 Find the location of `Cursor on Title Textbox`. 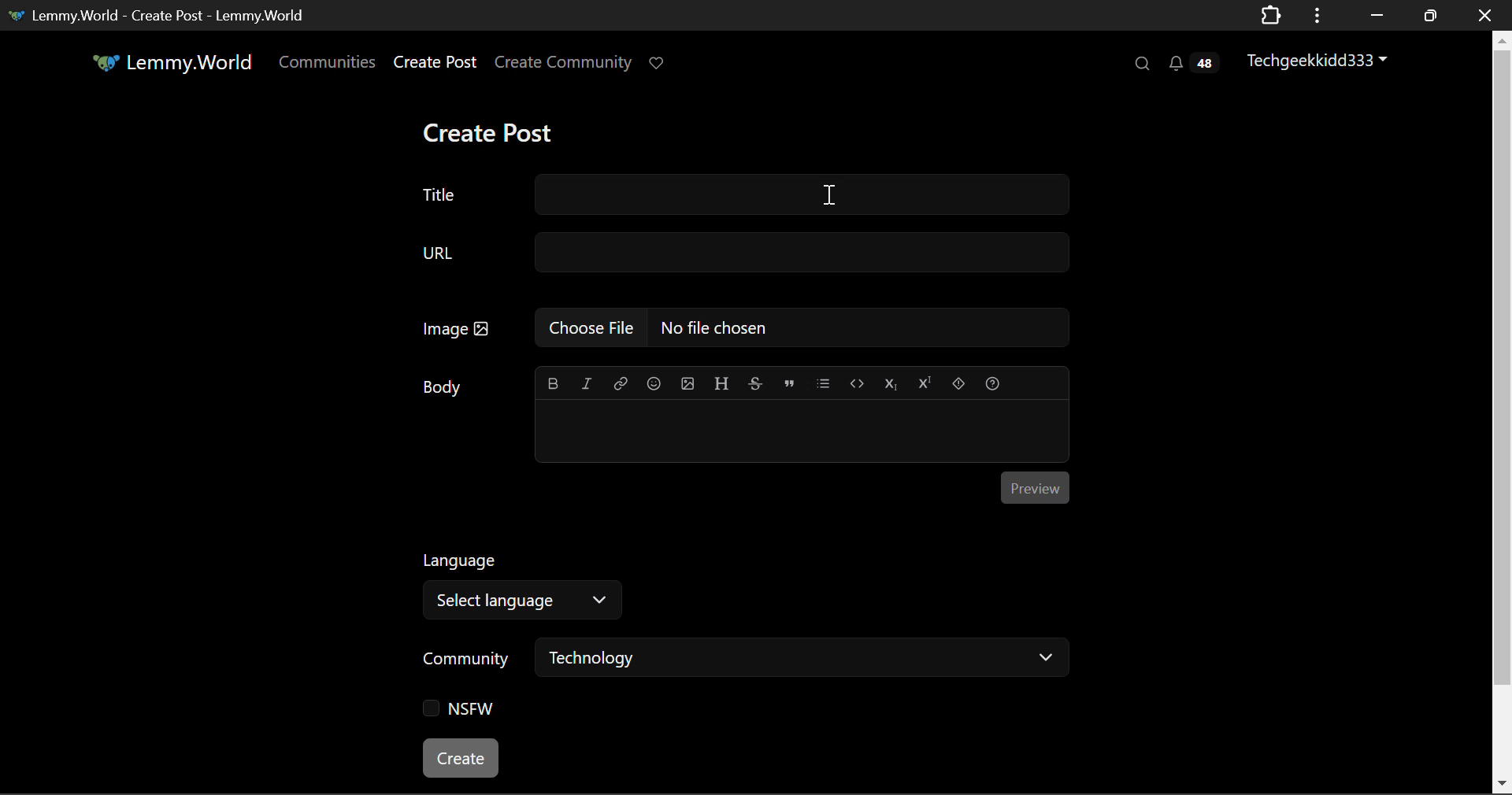

Cursor on Title Textbox is located at coordinates (831, 193).